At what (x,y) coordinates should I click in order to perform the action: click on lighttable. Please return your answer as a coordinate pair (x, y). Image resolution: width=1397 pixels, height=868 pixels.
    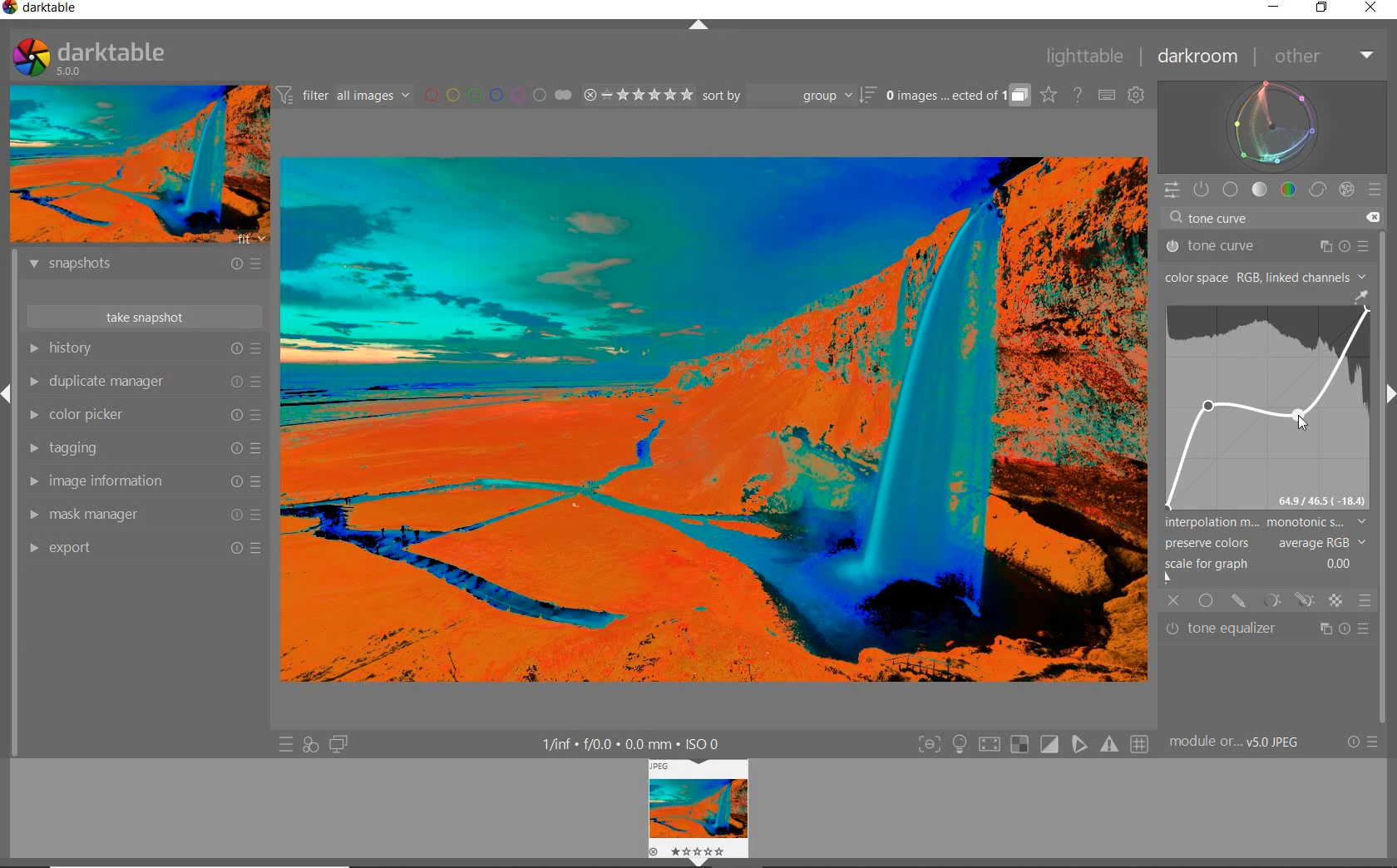
    Looking at the image, I should click on (1089, 57).